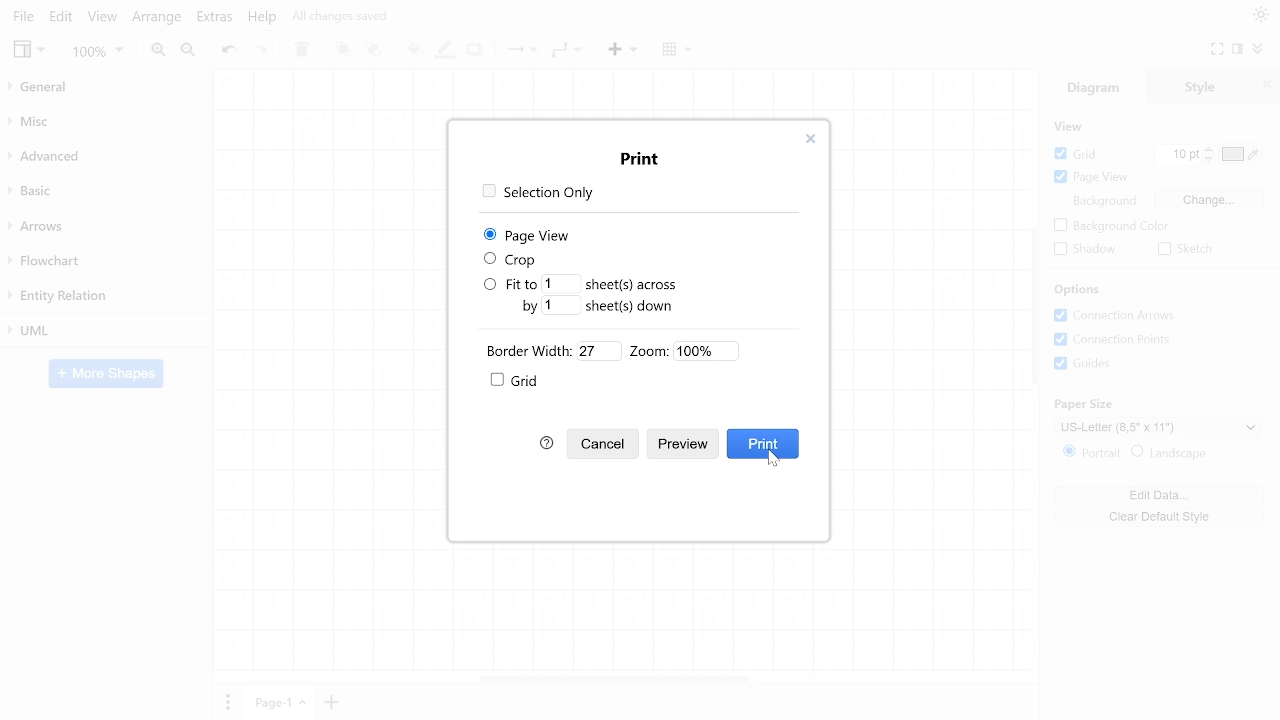  What do you see at coordinates (446, 51) in the screenshot?
I see `Fill line` at bounding box center [446, 51].